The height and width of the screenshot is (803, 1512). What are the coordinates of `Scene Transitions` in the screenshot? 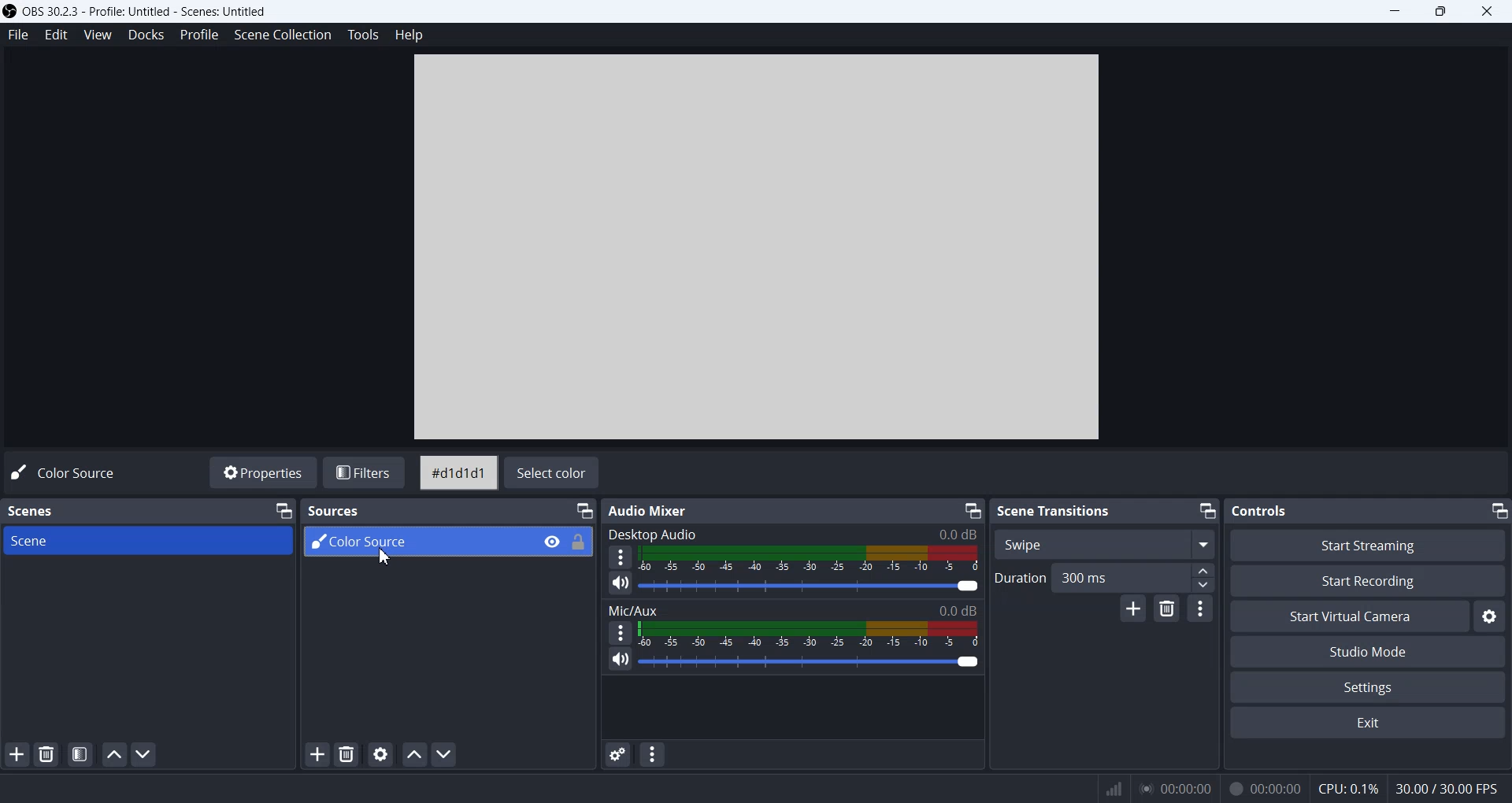 It's located at (1055, 510).